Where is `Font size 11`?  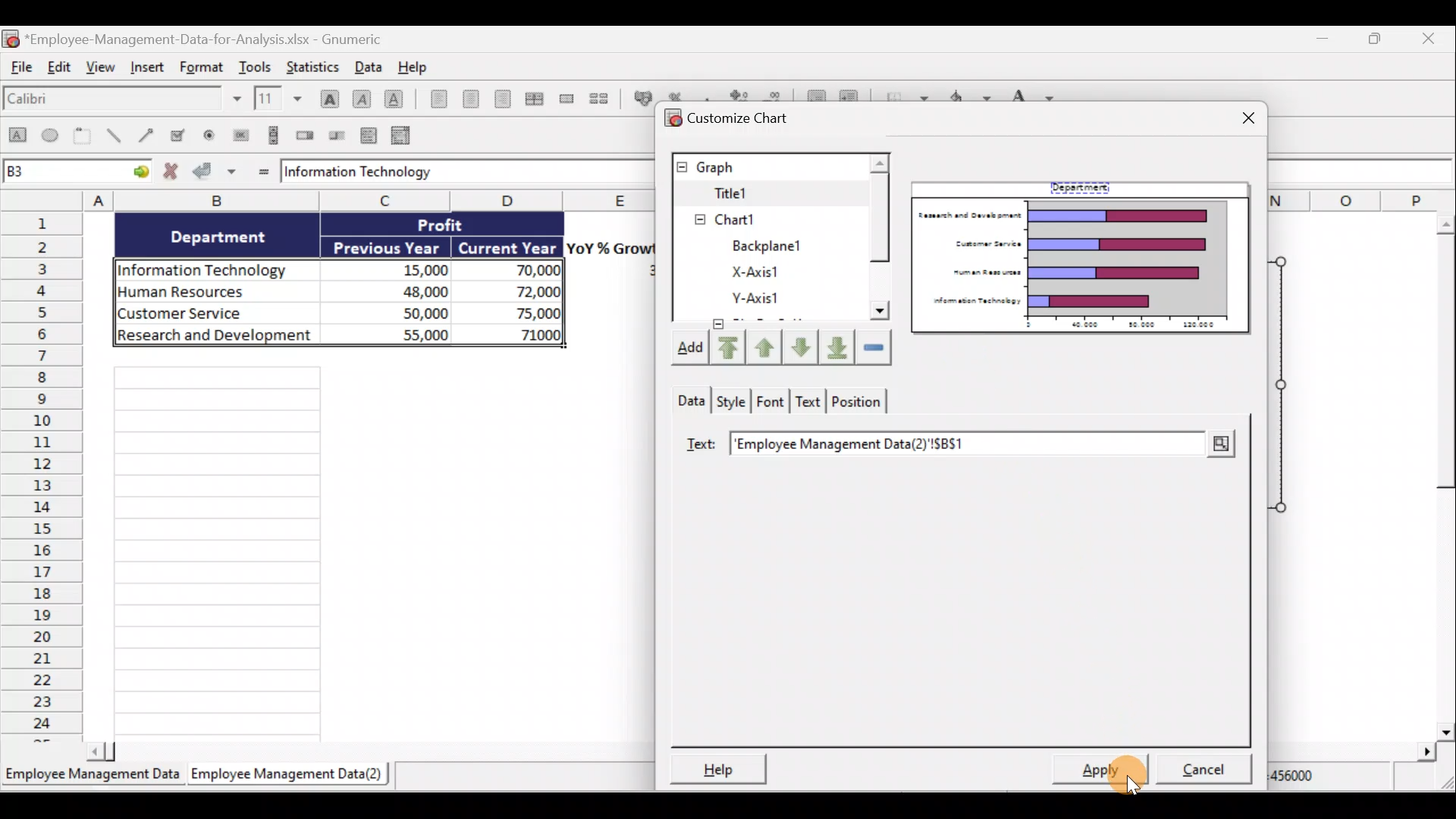
Font size 11 is located at coordinates (276, 98).